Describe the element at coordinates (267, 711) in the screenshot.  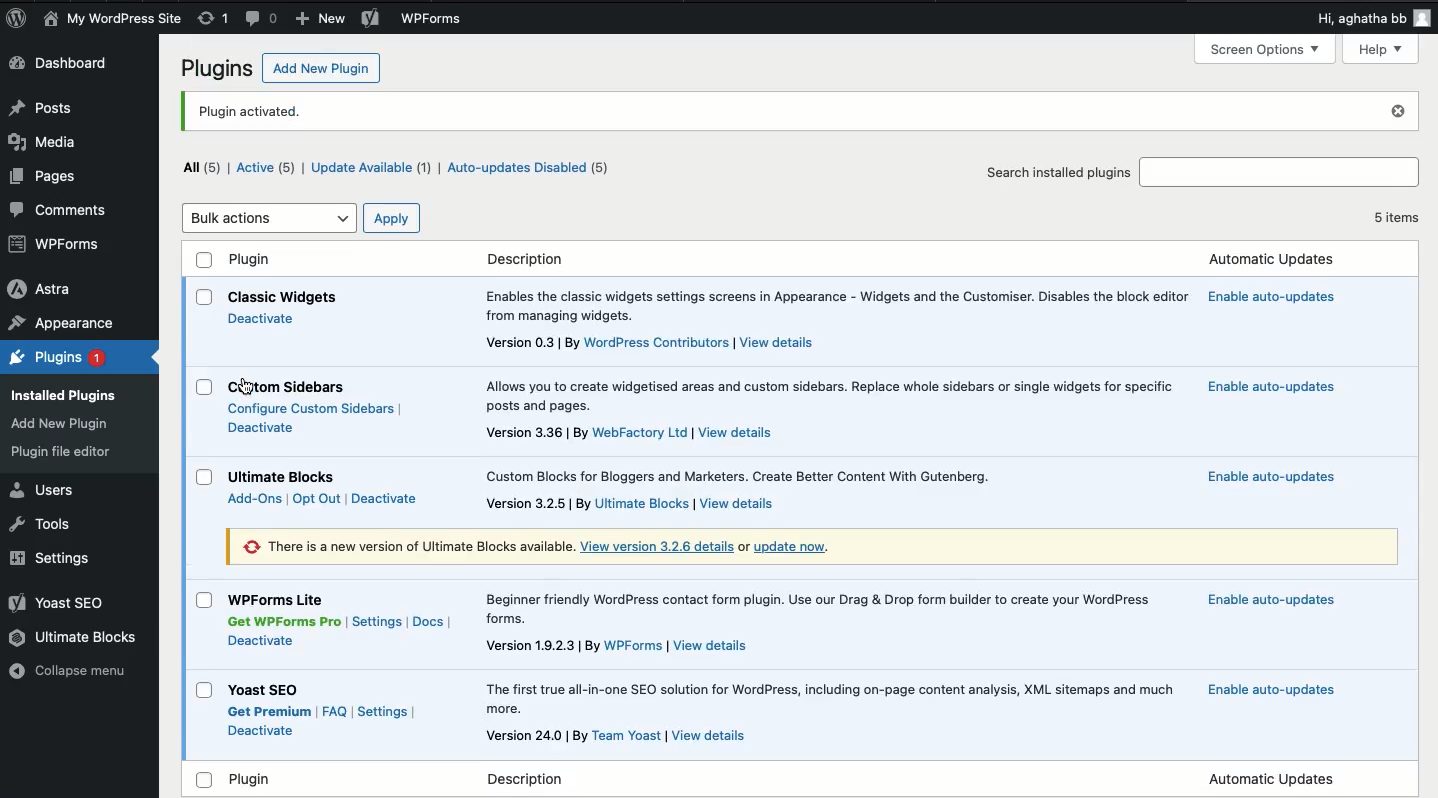
I see `` at that location.